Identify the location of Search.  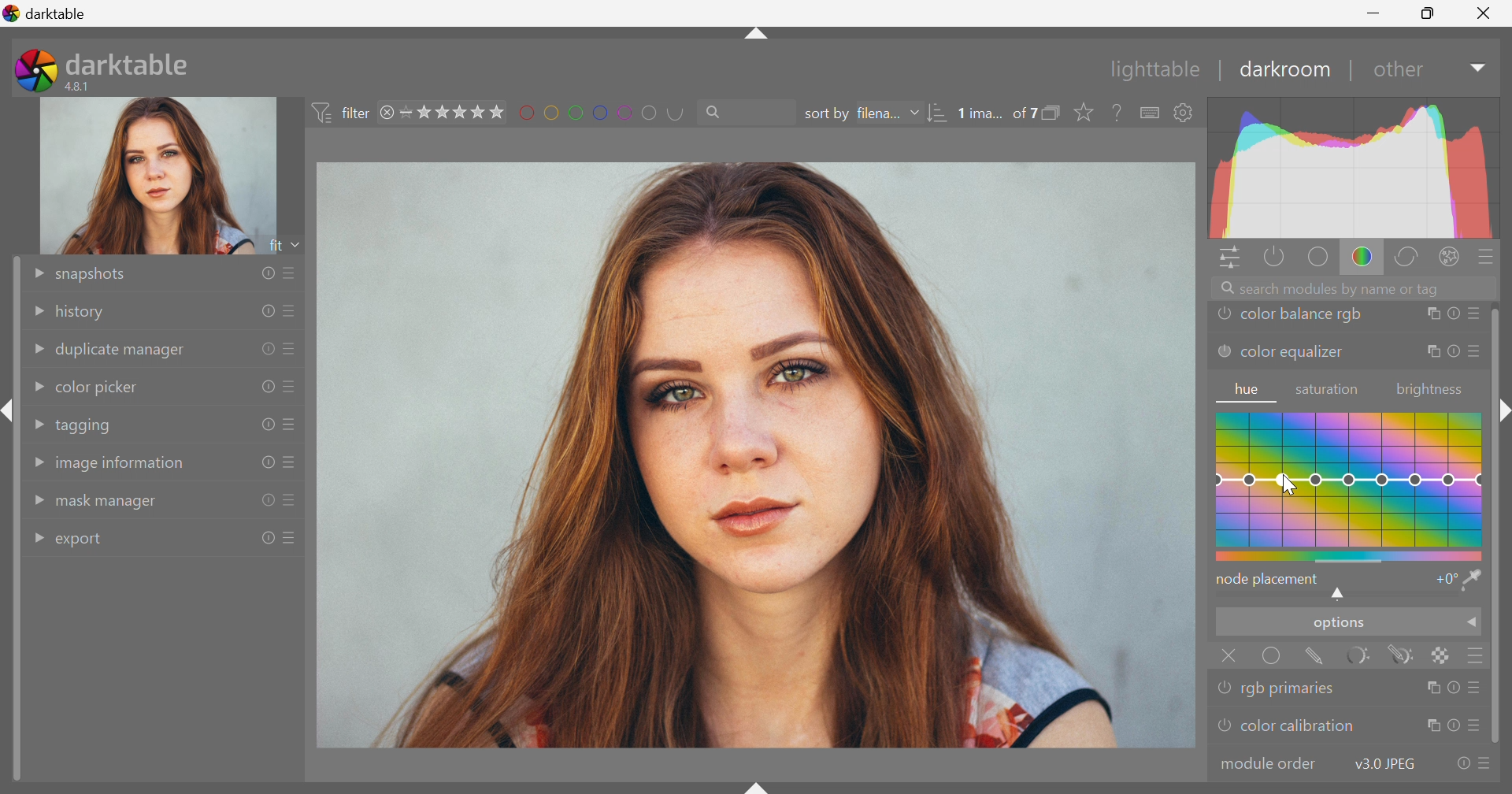
(720, 113).